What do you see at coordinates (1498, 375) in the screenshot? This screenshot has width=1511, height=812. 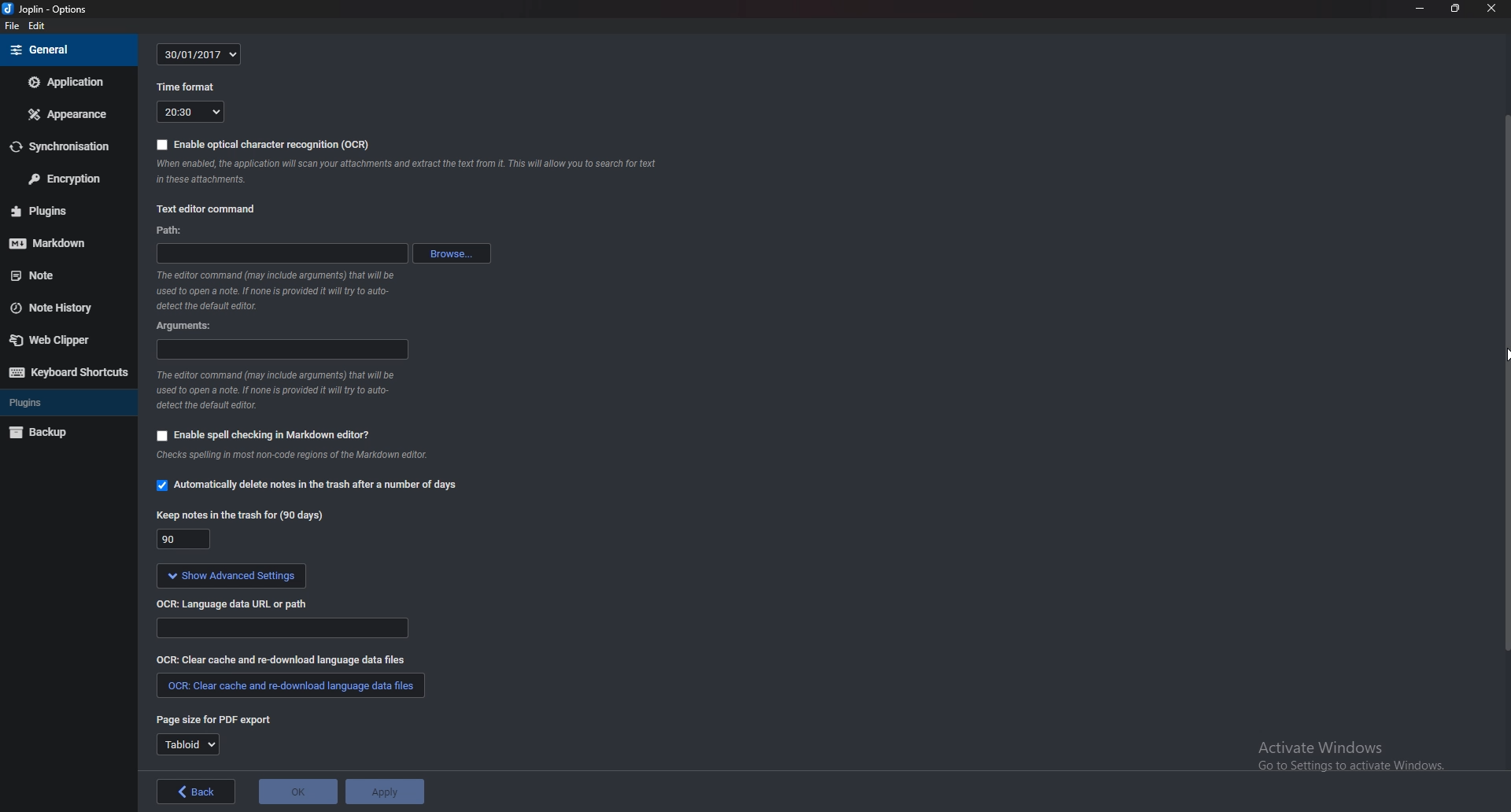 I see `Scroll bar` at bounding box center [1498, 375].